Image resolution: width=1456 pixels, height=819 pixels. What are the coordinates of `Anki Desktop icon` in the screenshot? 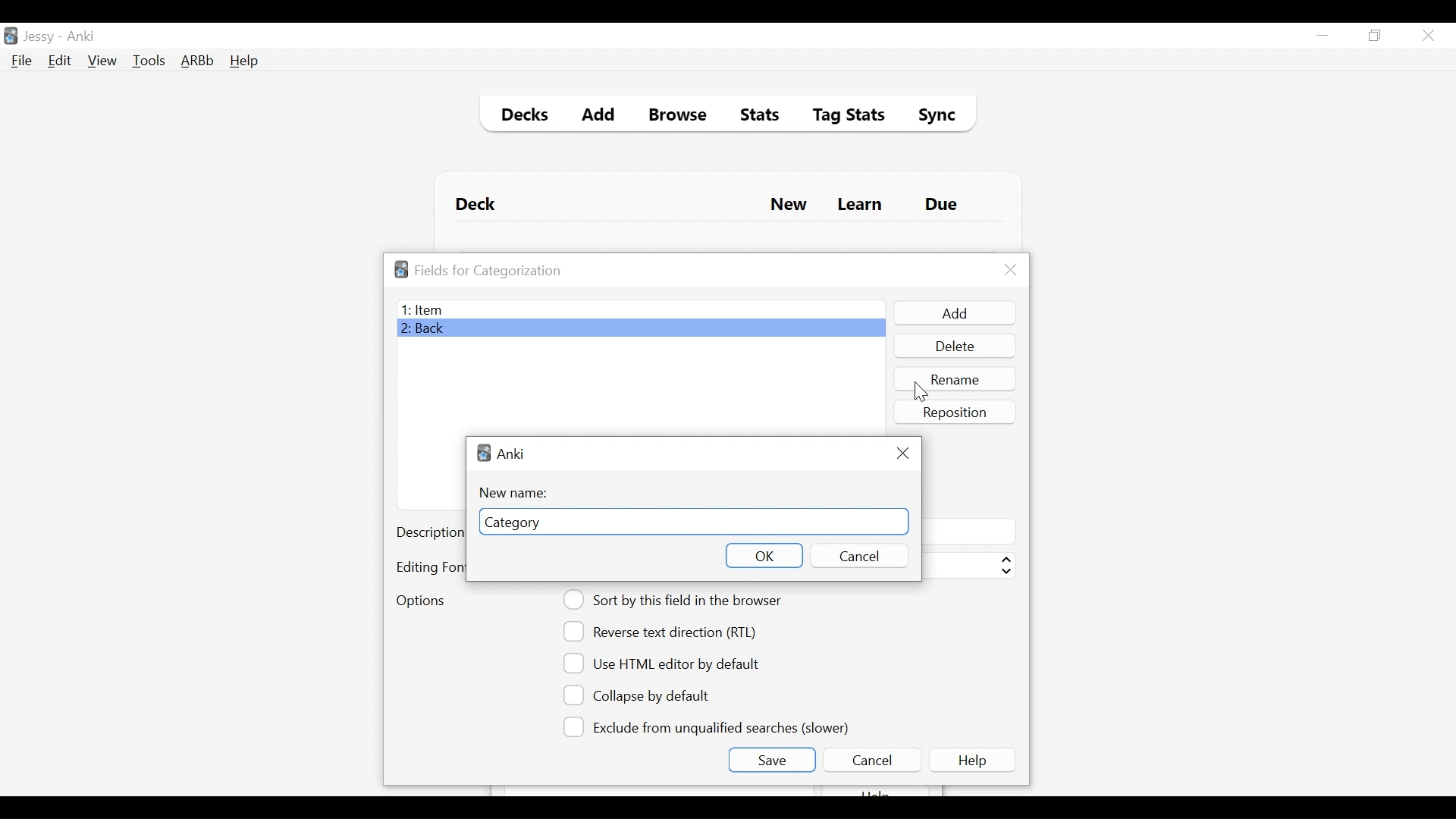 It's located at (11, 36).